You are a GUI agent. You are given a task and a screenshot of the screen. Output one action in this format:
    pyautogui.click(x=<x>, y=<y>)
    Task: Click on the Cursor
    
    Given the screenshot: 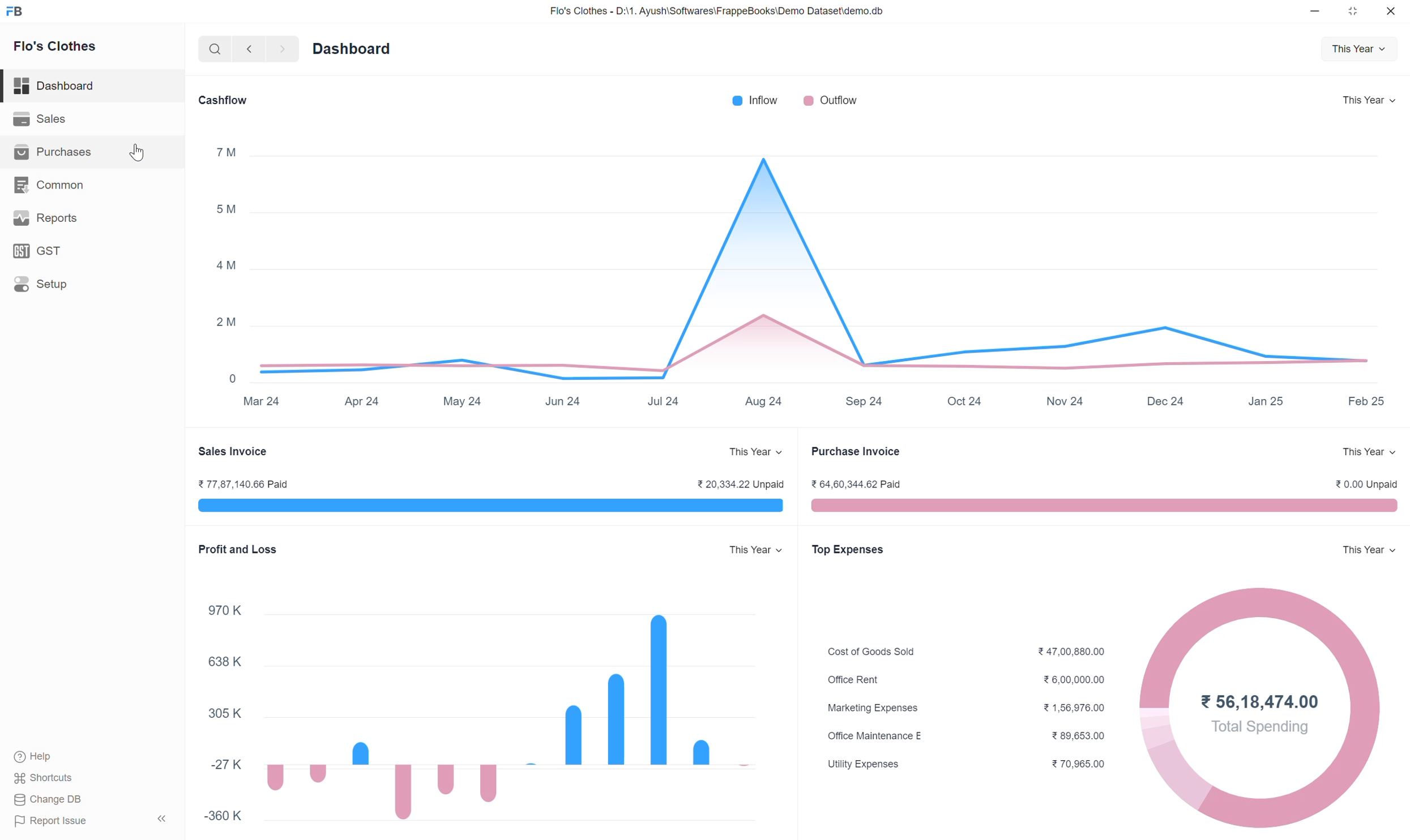 What is the action you would take?
    pyautogui.click(x=137, y=152)
    